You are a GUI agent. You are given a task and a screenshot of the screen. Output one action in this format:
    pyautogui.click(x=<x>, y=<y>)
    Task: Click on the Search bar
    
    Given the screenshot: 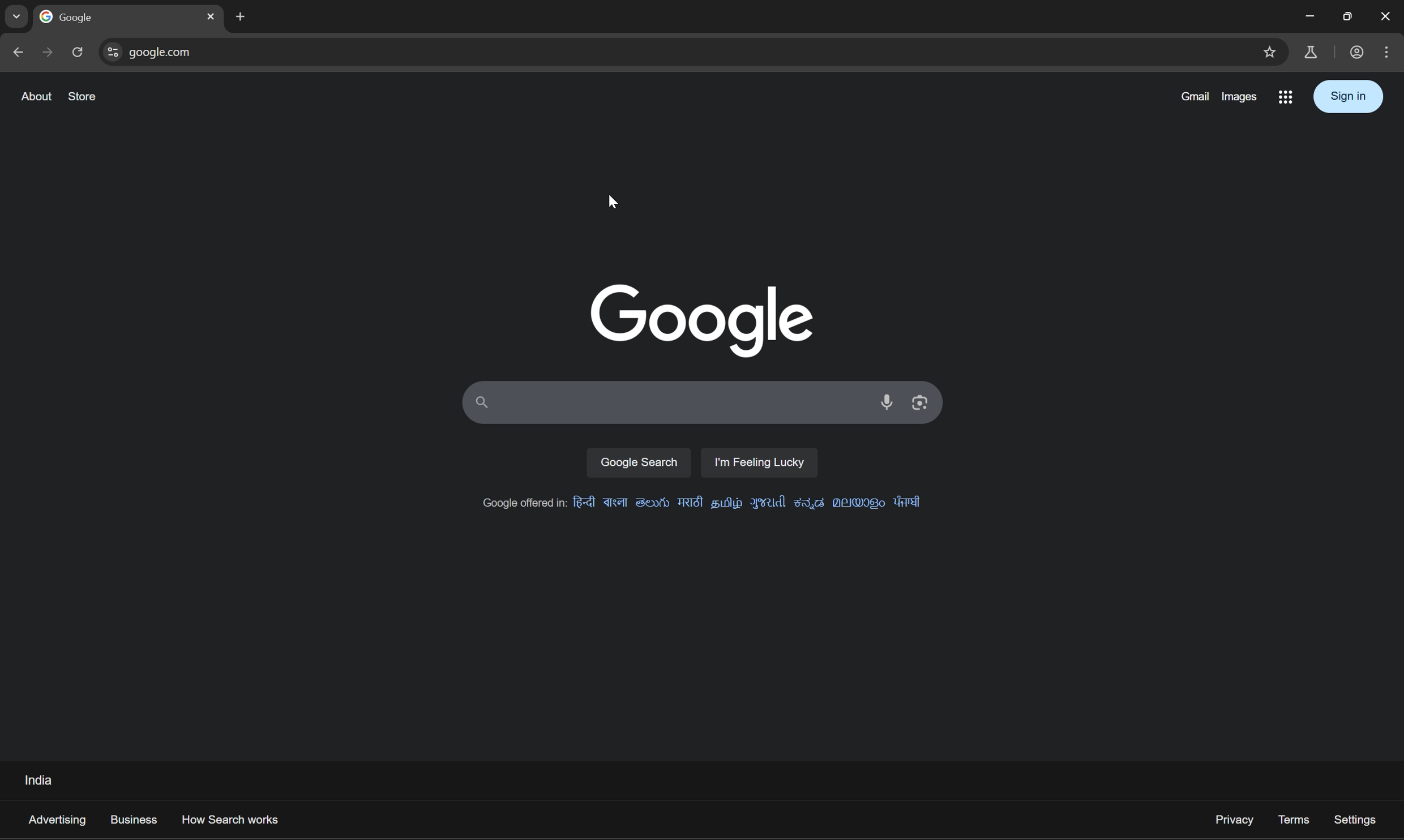 What is the action you would take?
    pyautogui.click(x=664, y=404)
    